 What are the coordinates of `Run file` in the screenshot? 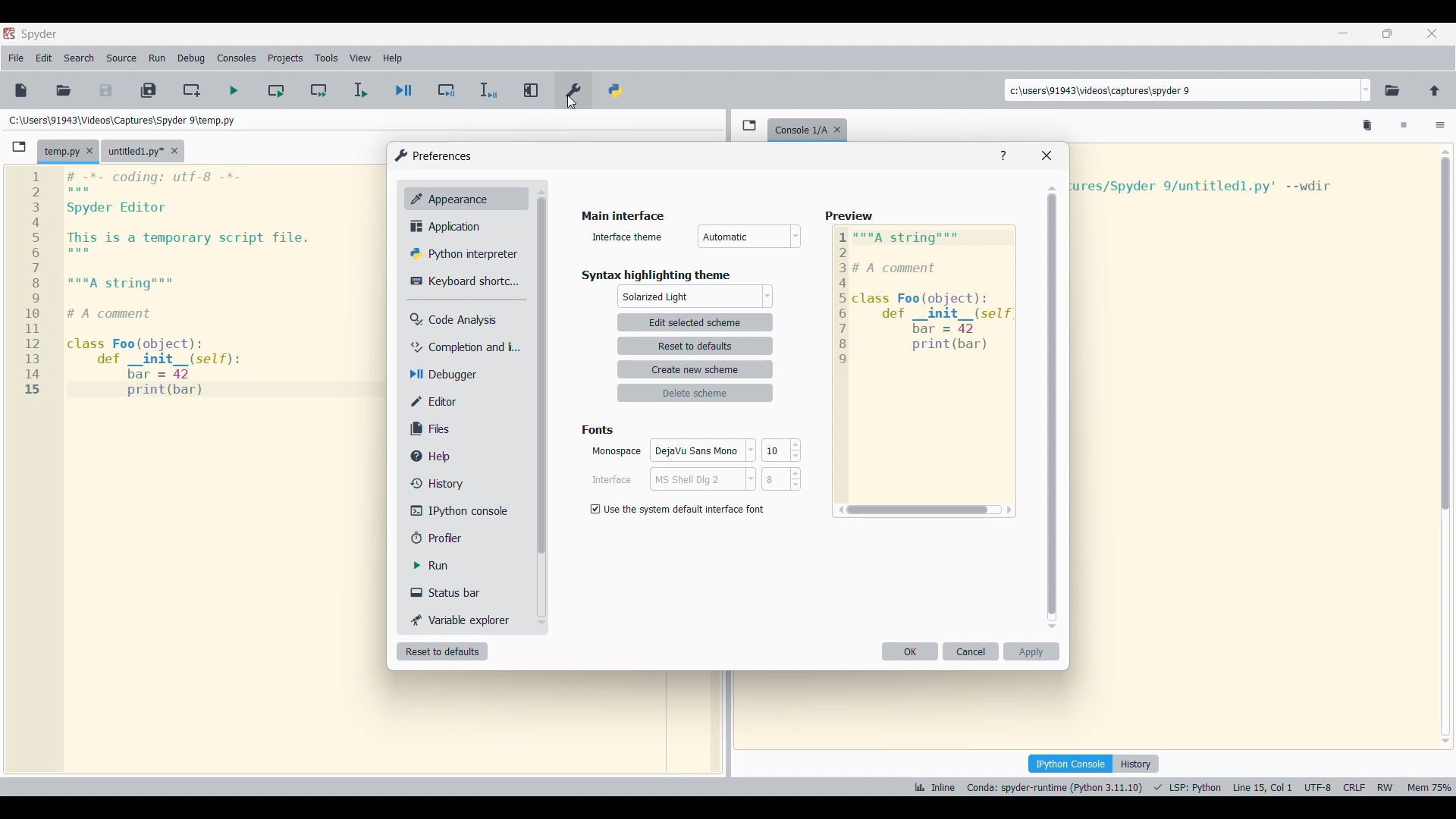 It's located at (235, 90).